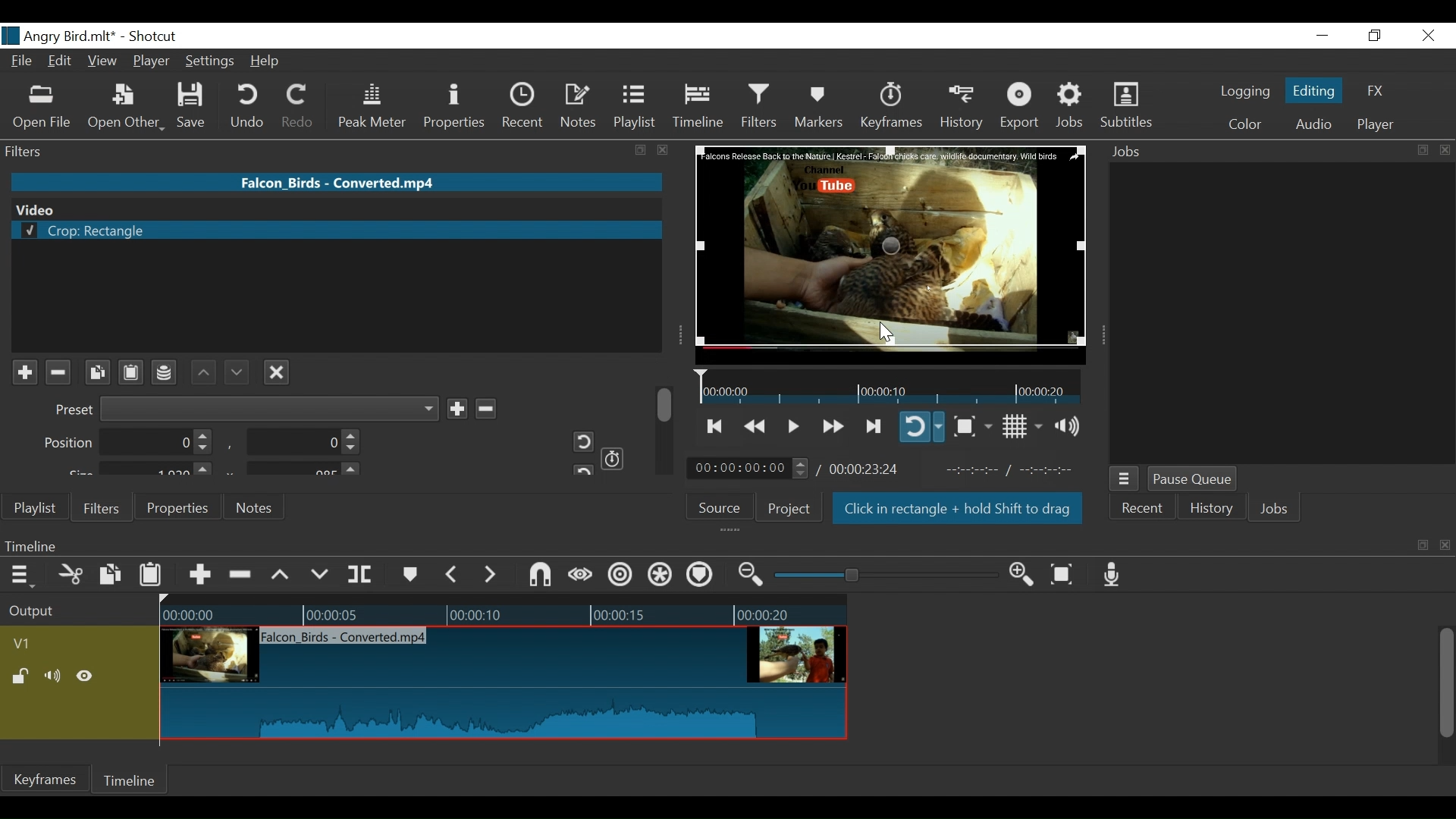 This screenshot has width=1456, height=819. What do you see at coordinates (55, 677) in the screenshot?
I see `Mute` at bounding box center [55, 677].